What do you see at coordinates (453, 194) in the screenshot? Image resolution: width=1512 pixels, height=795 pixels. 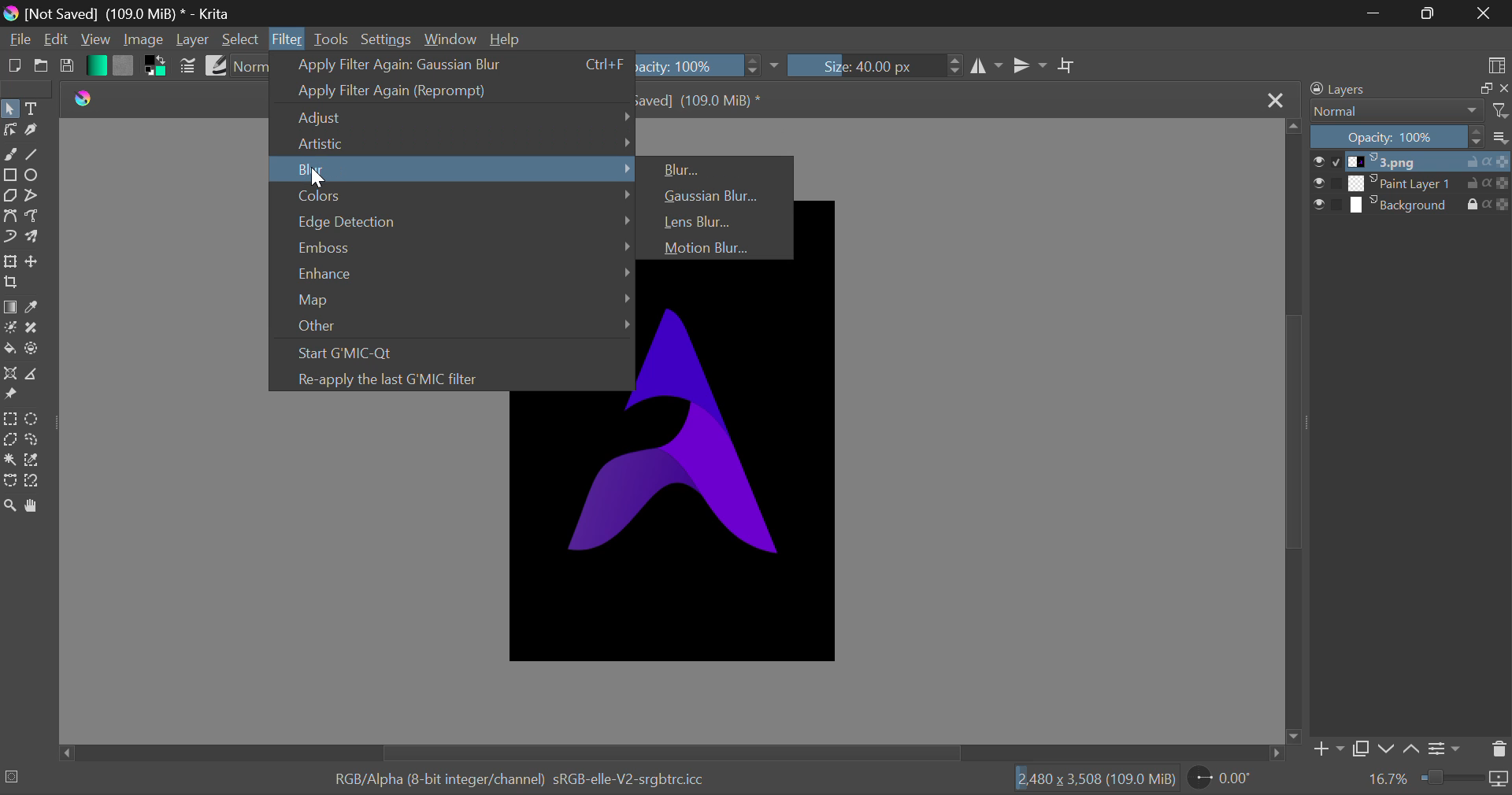 I see `Colors` at bounding box center [453, 194].